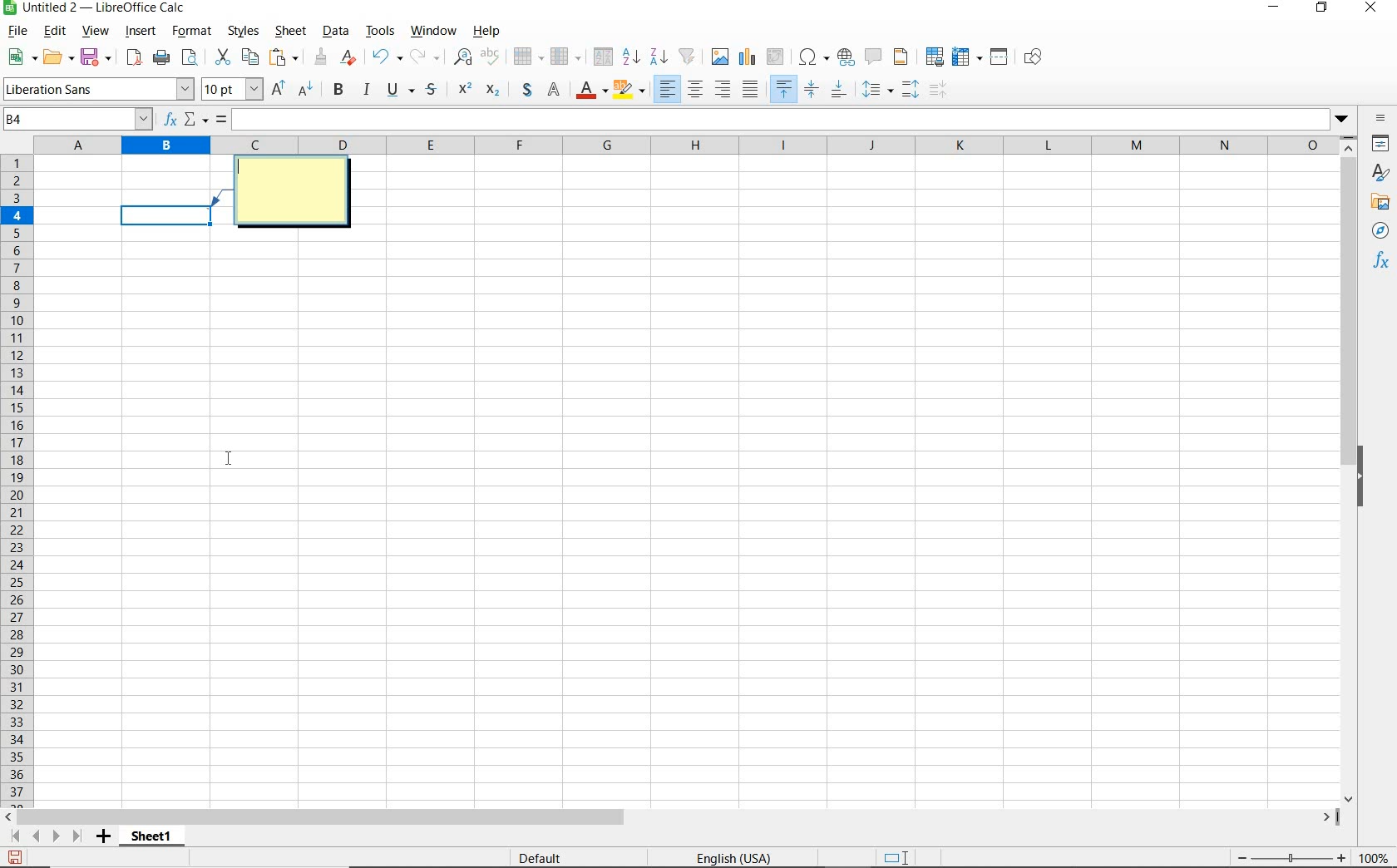 The width and height of the screenshot is (1397, 868). What do you see at coordinates (1374, 860) in the screenshot?
I see `zoom factor` at bounding box center [1374, 860].